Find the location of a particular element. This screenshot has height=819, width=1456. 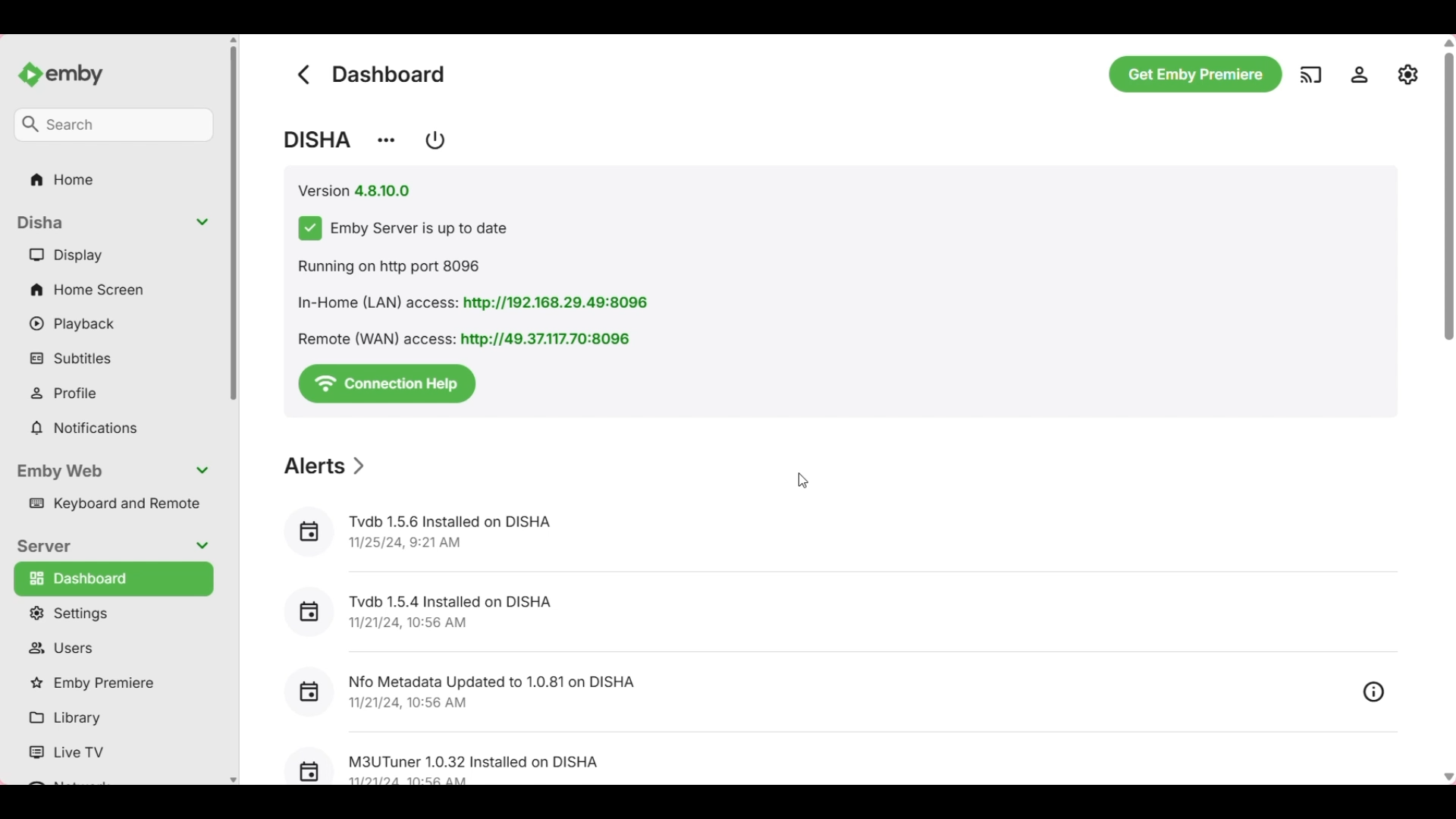

Play on another device is located at coordinates (1310, 74).